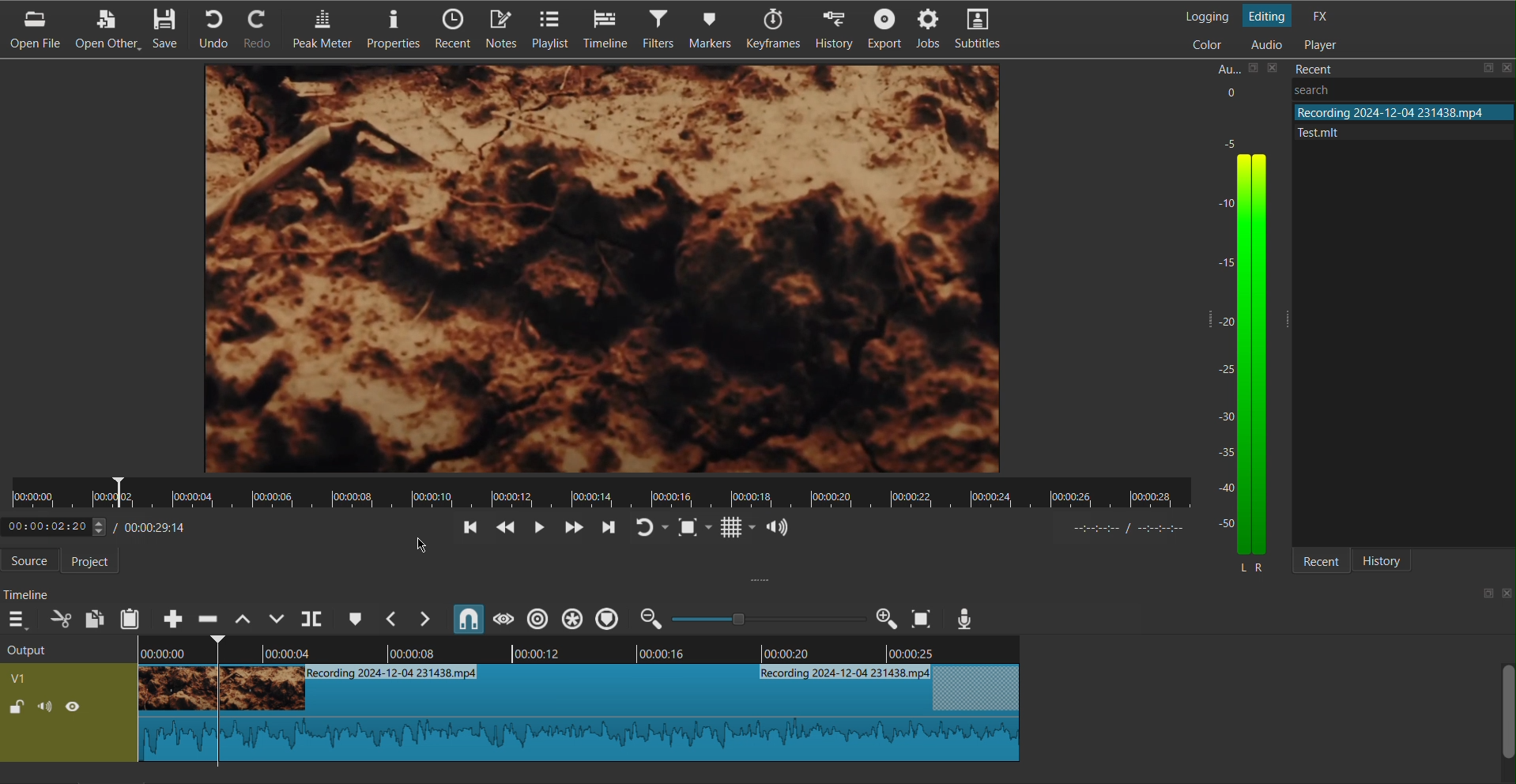  I want to click on save, so click(1251, 69).